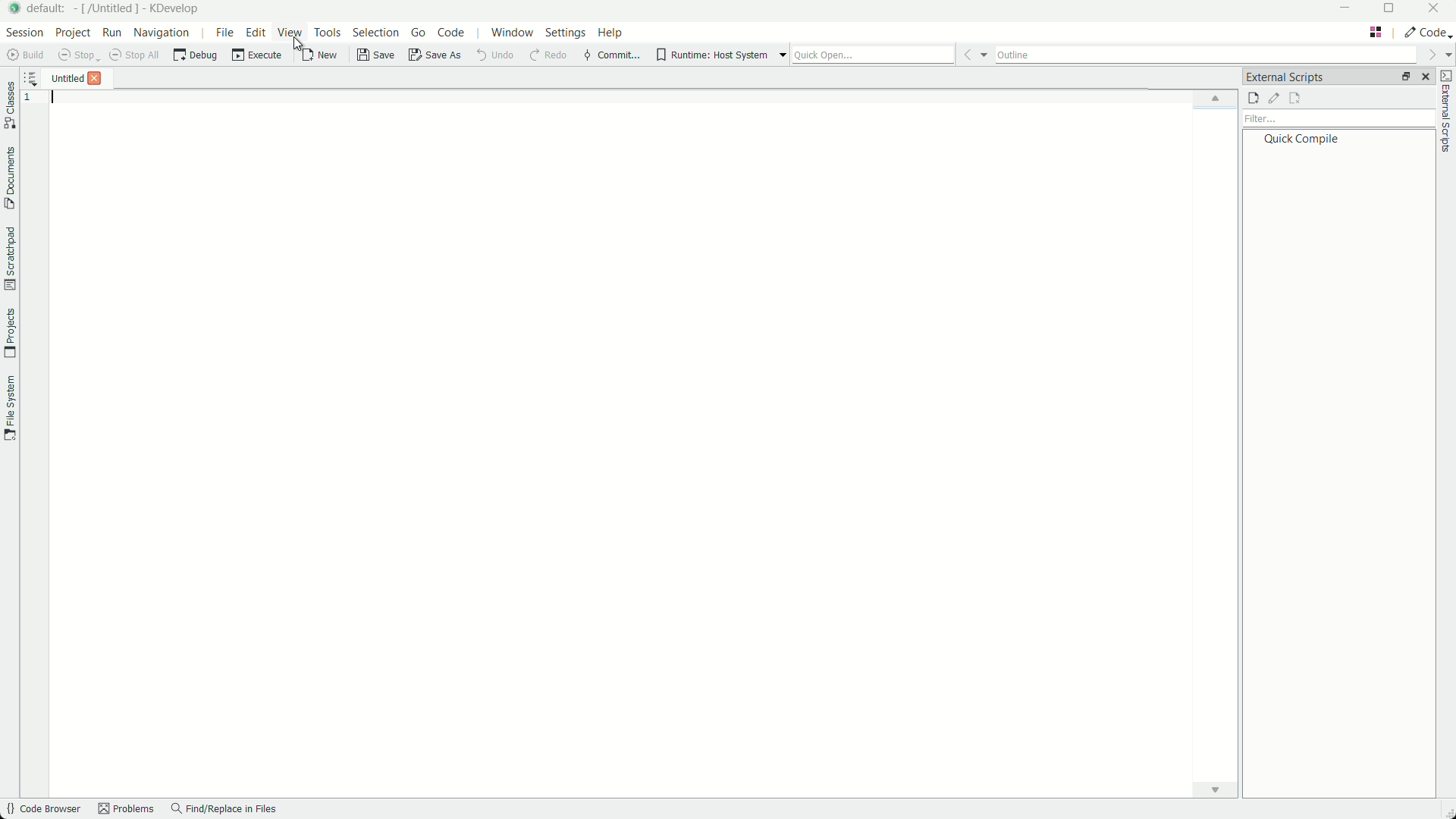 Image resolution: width=1456 pixels, height=819 pixels. Describe the element at coordinates (565, 33) in the screenshot. I see `settings` at that location.